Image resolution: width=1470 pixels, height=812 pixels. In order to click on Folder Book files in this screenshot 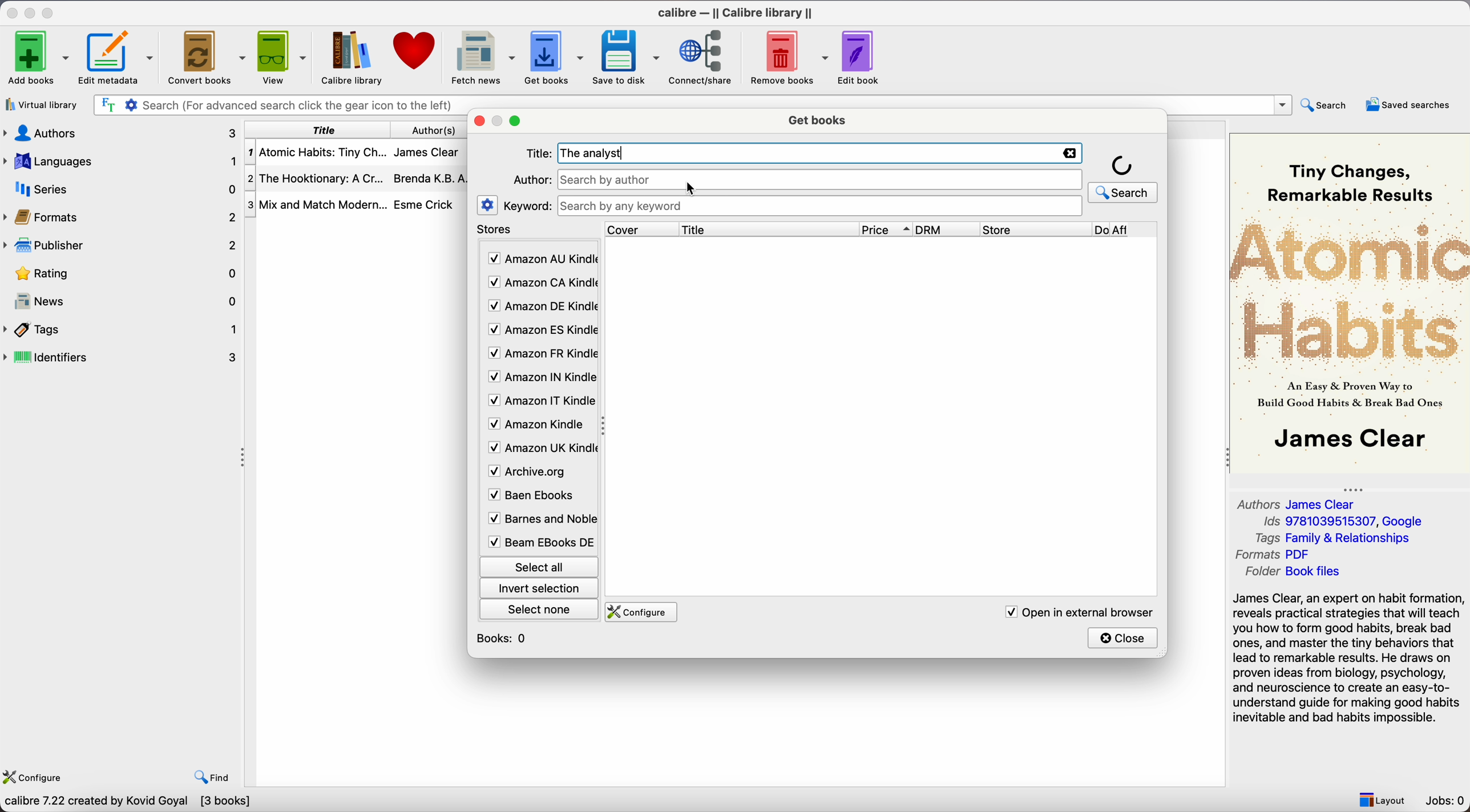, I will do `click(1289, 573)`.